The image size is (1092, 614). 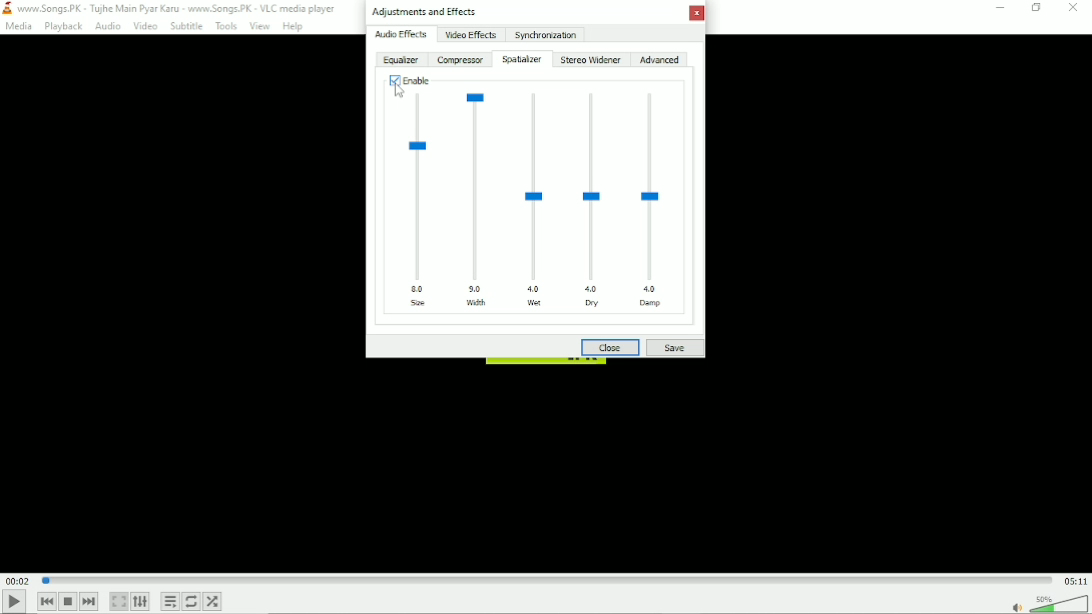 I want to click on Spatializer, so click(x=522, y=59).